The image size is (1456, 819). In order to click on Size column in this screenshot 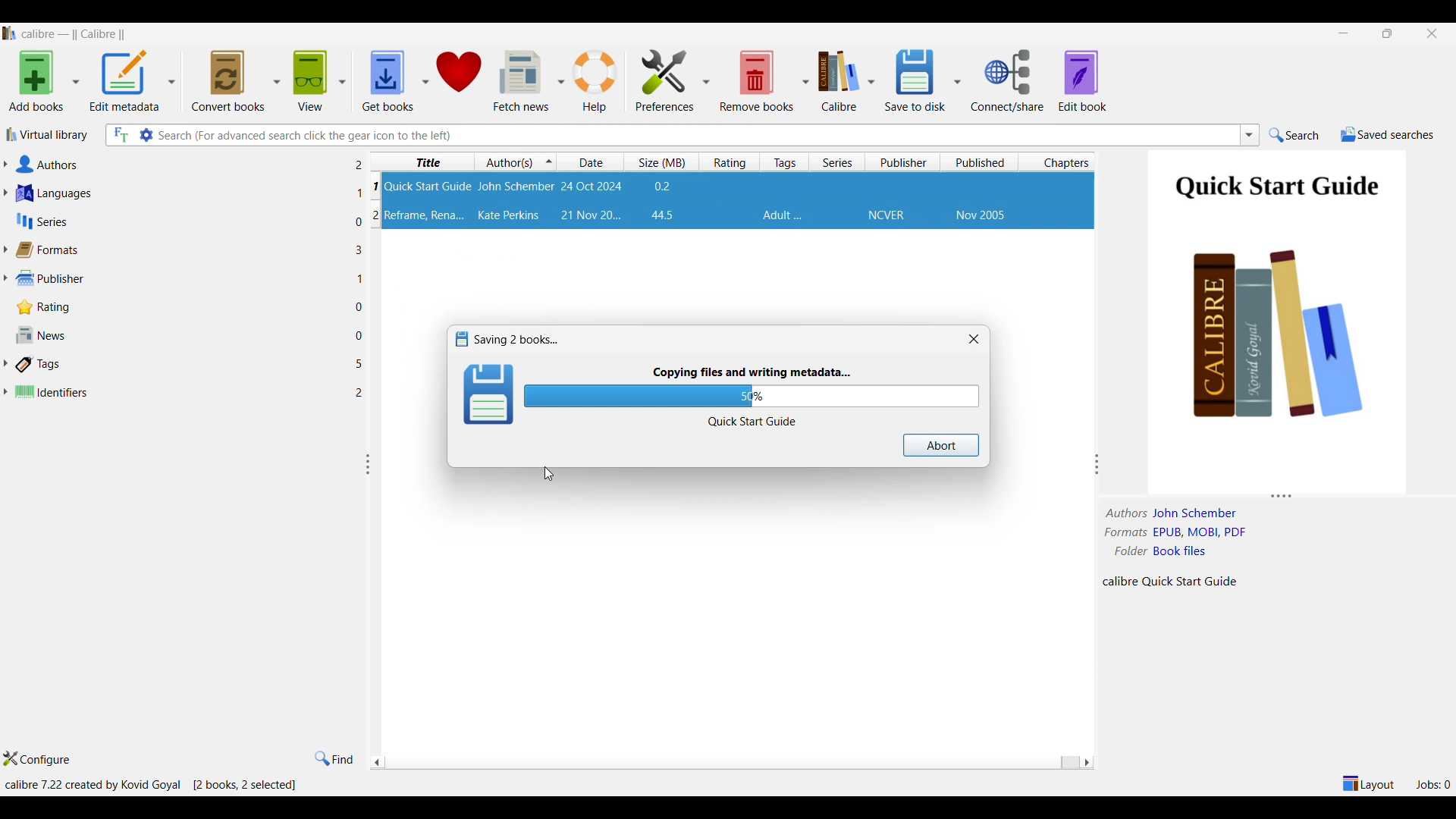, I will do `click(665, 162)`.